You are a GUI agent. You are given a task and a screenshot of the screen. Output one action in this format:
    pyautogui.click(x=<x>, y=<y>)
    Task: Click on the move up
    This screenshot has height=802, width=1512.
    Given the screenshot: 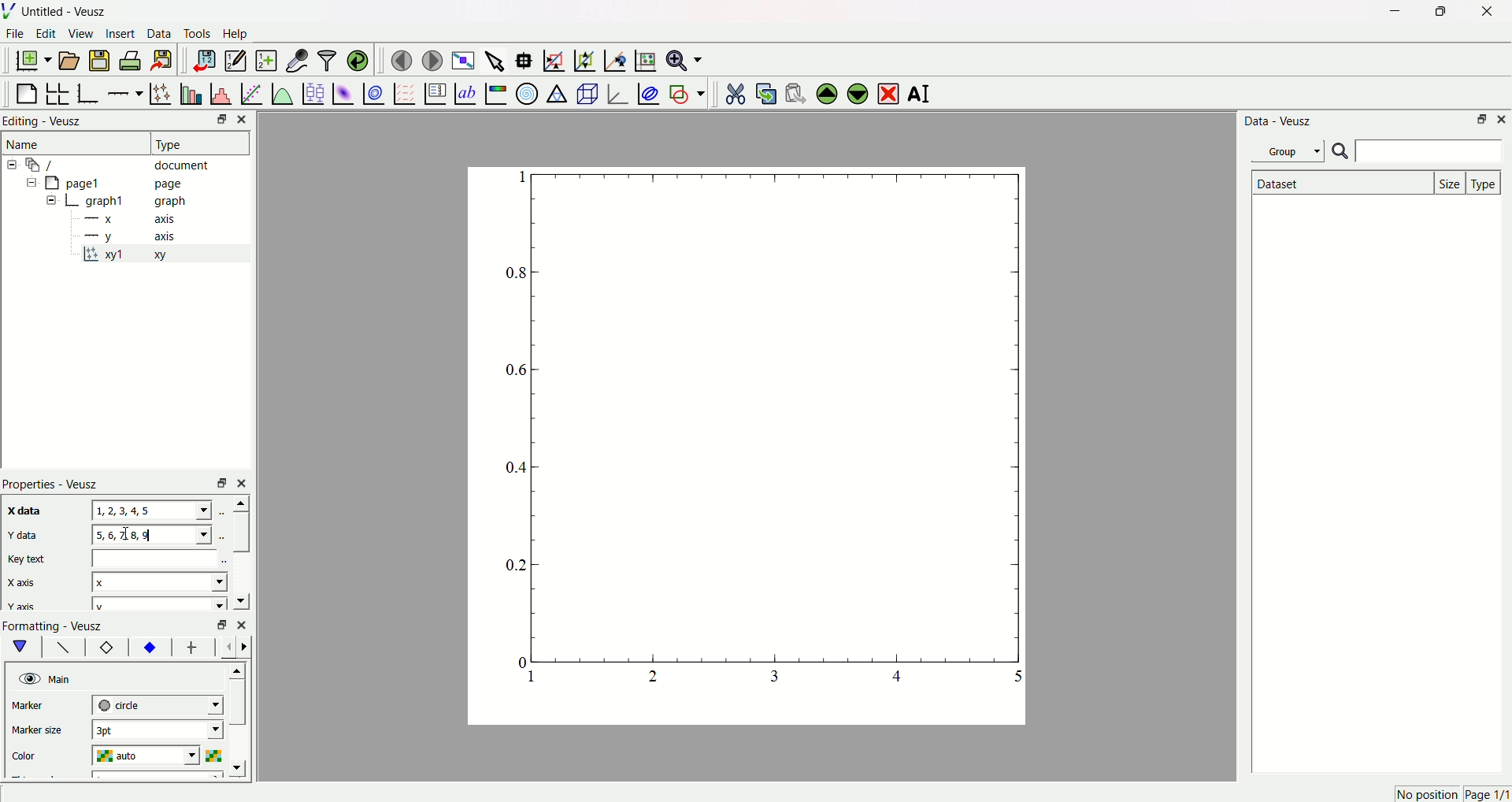 What is the action you would take?
    pyautogui.click(x=239, y=668)
    